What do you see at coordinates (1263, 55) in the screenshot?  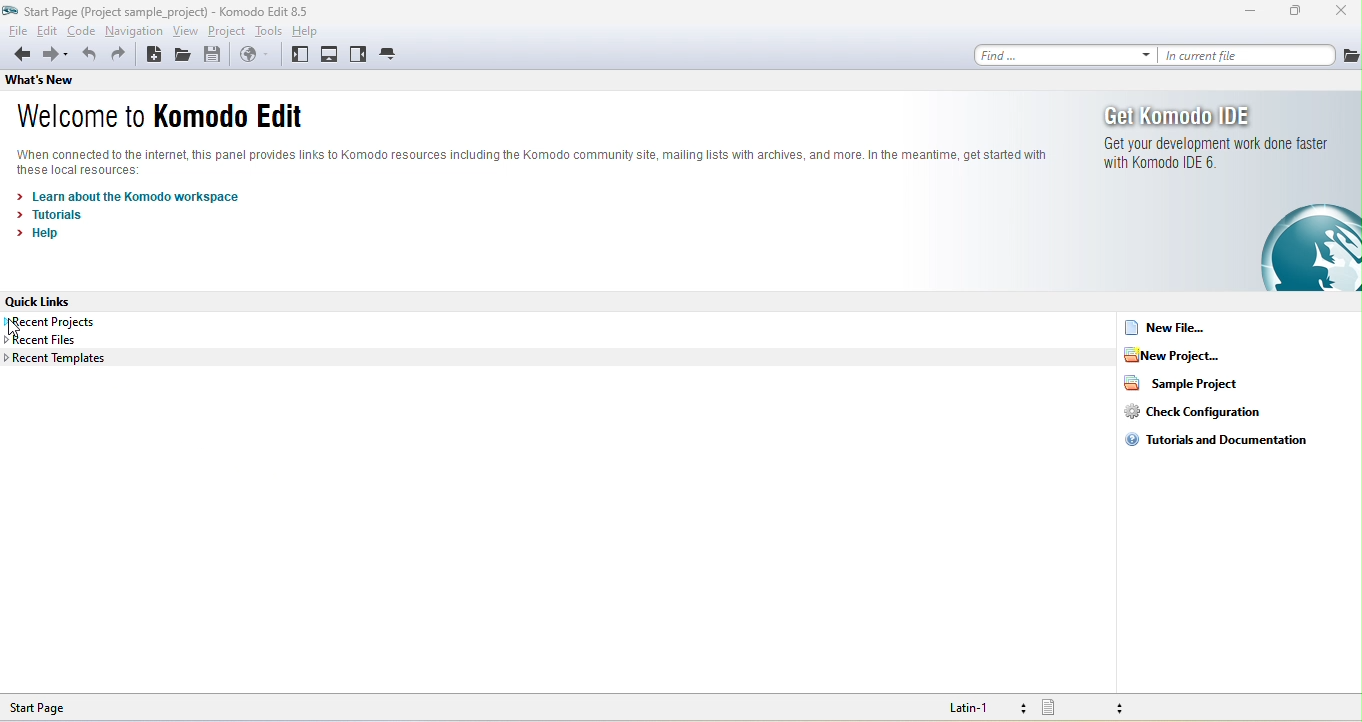 I see `in current file` at bounding box center [1263, 55].